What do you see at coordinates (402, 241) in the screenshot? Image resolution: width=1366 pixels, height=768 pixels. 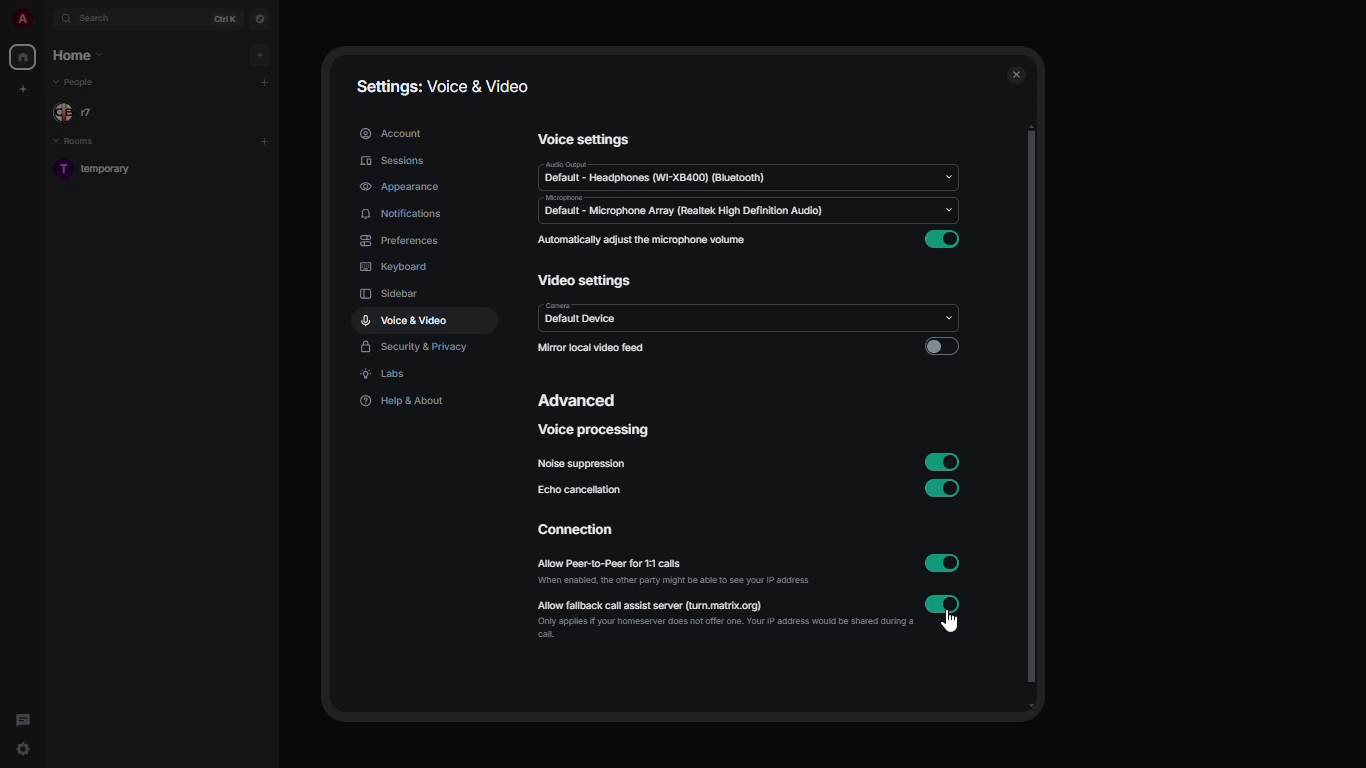 I see `preferences` at bounding box center [402, 241].